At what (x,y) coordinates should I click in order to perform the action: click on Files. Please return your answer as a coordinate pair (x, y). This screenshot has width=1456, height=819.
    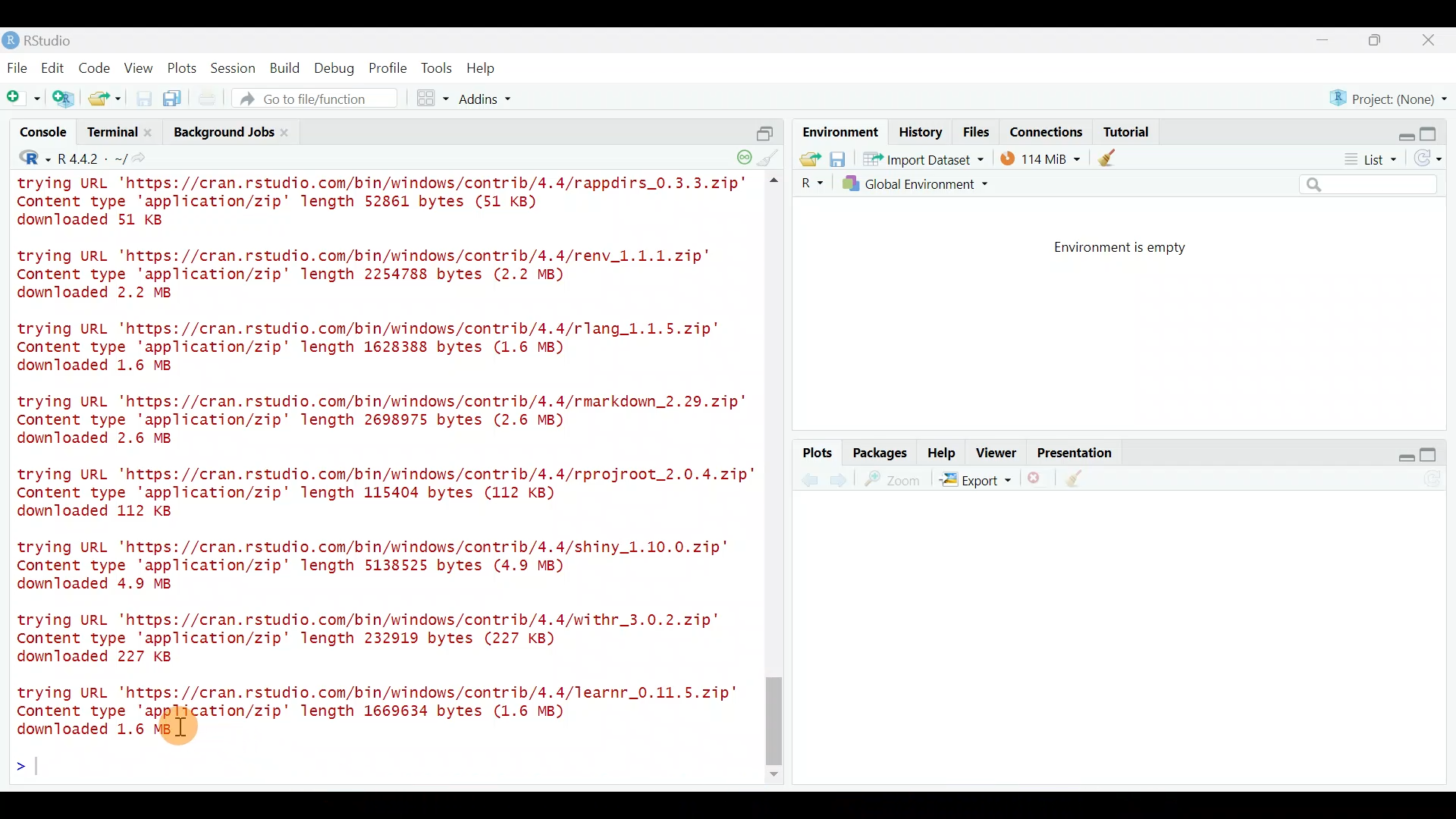
    Looking at the image, I should click on (977, 132).